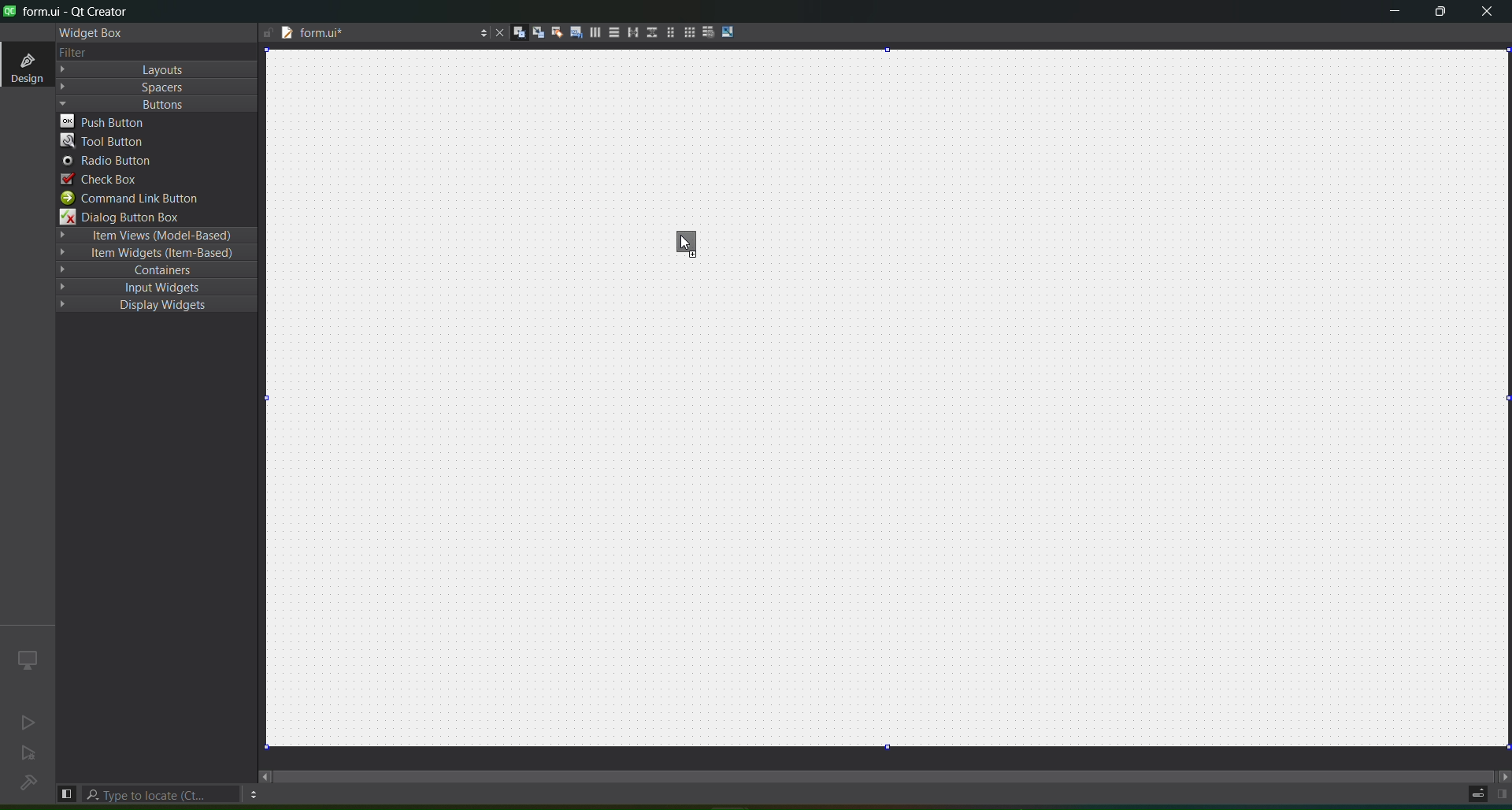 The image size is (1512, 810). What do you see at coordinates (162, 794) in the screenshot?
I see `type to locate` at bounding box center [162, 794].